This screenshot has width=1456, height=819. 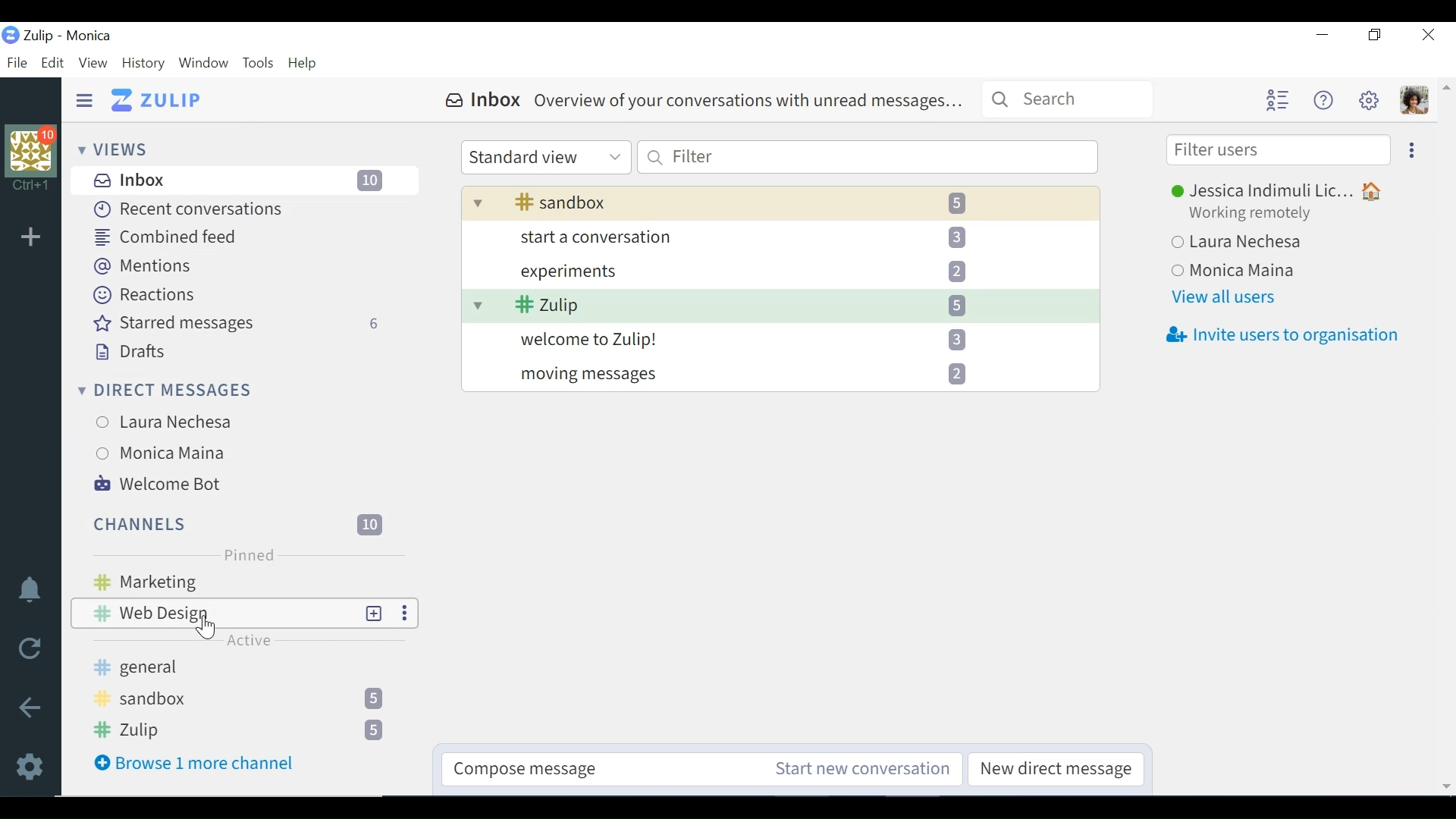 I want to click on Cursor, so click(x=204, y=629).